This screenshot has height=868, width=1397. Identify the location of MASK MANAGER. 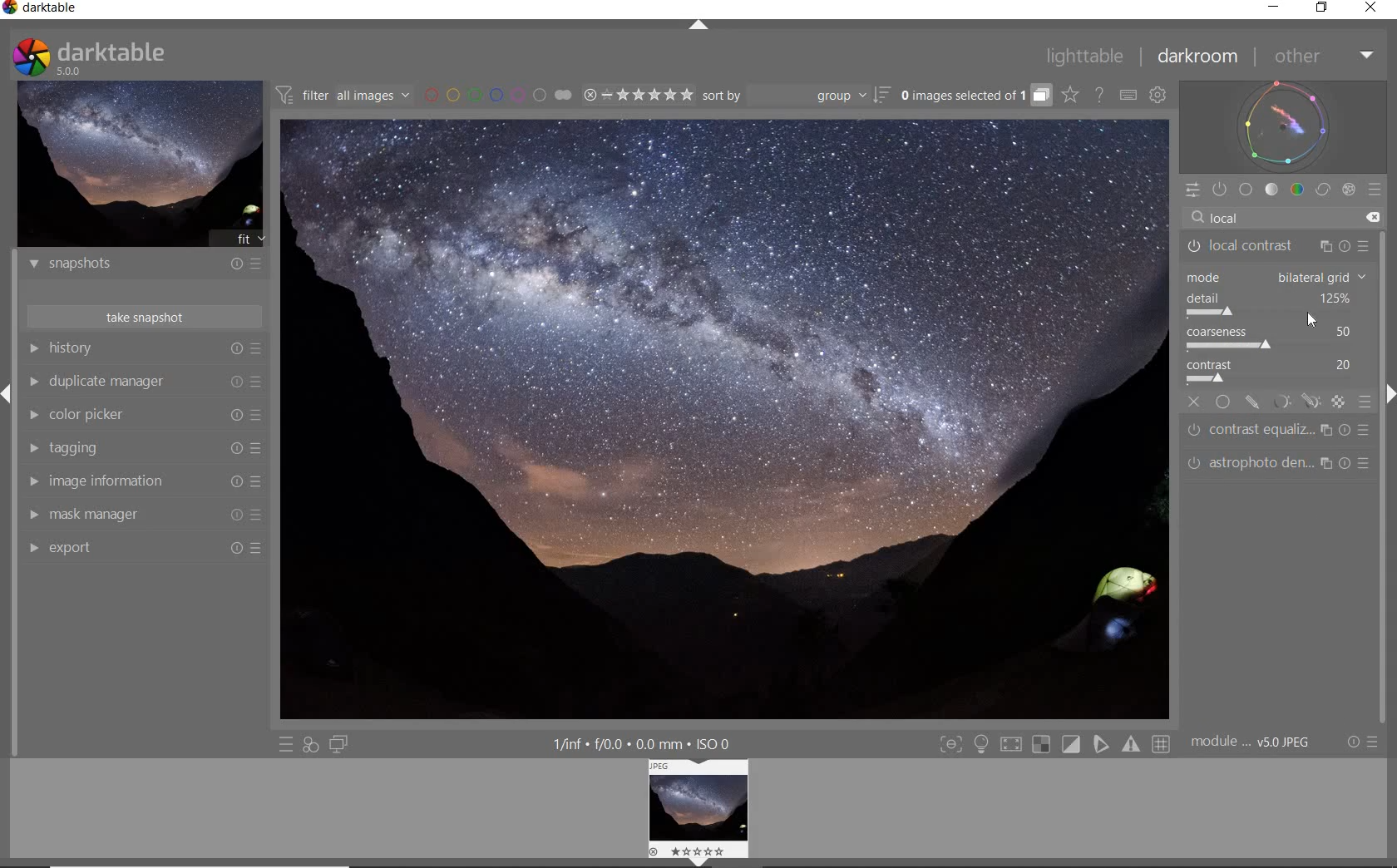
(33, 516).